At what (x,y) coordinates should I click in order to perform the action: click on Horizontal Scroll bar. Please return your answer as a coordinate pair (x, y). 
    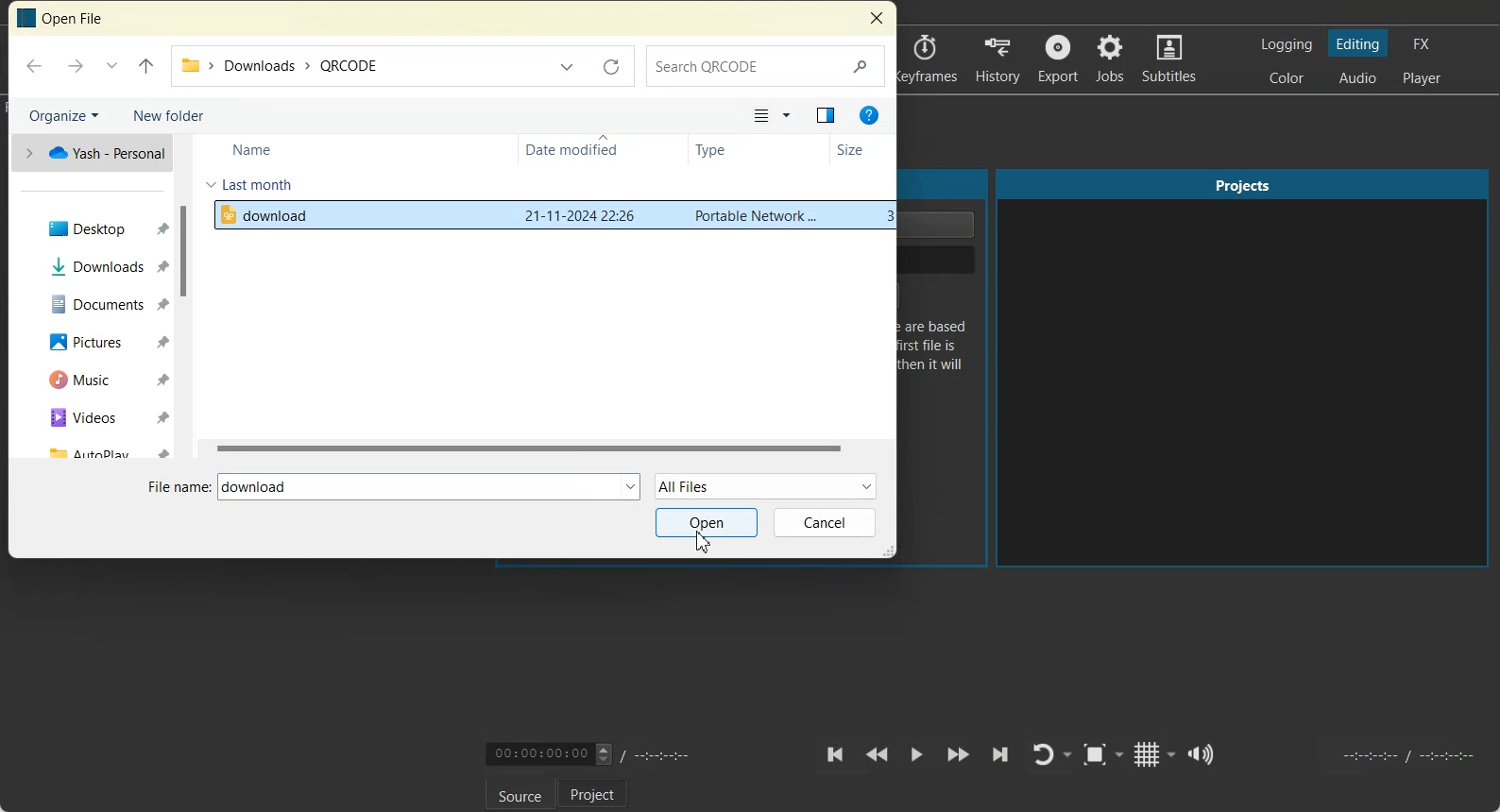
    Looking at the image, I should click on (545, 449).